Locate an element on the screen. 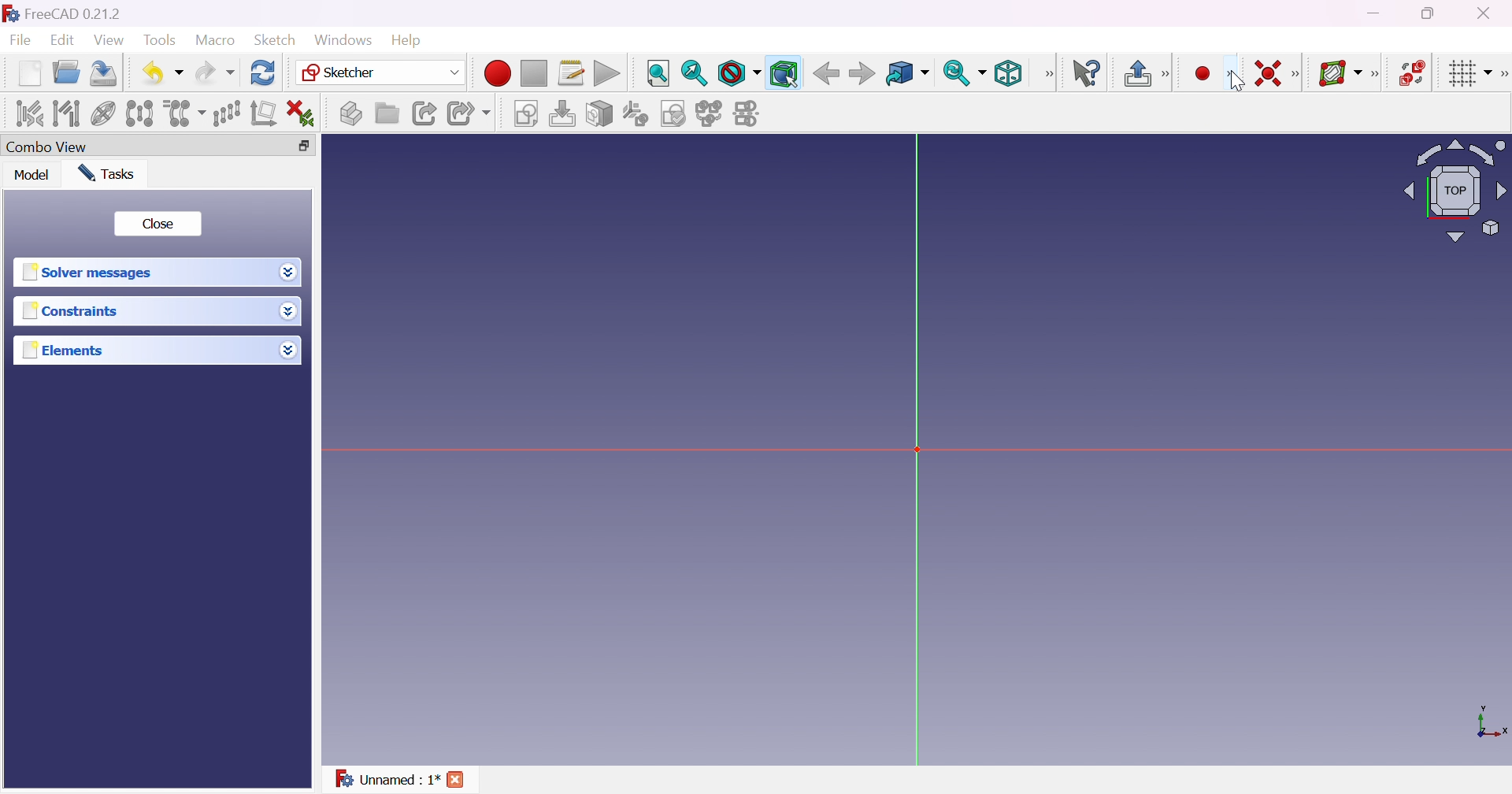 The image size is (1512, 794). Model is located at coordinates (31, 174).